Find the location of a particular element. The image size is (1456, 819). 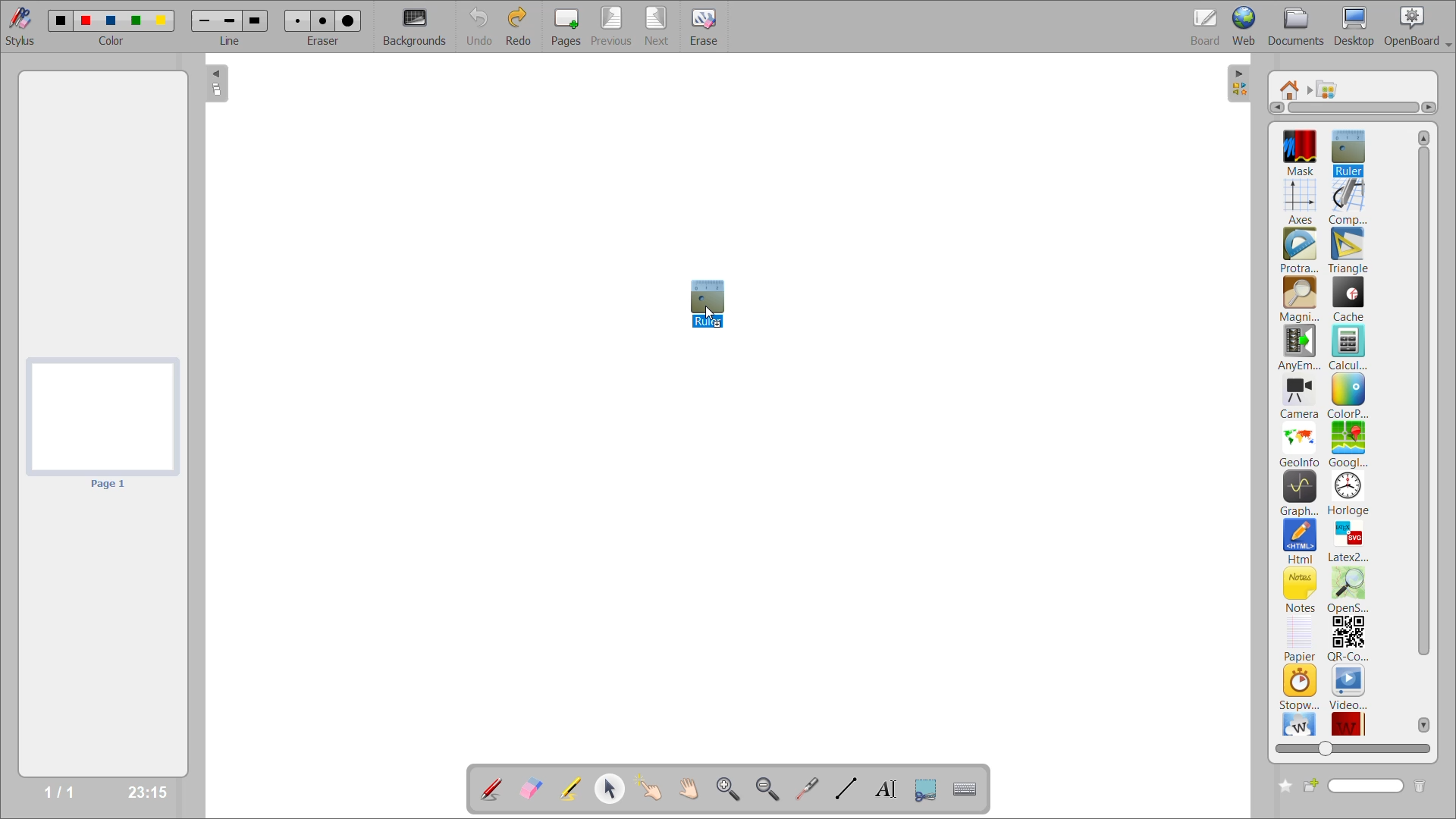

eraser is located at coordinates (324, 40).